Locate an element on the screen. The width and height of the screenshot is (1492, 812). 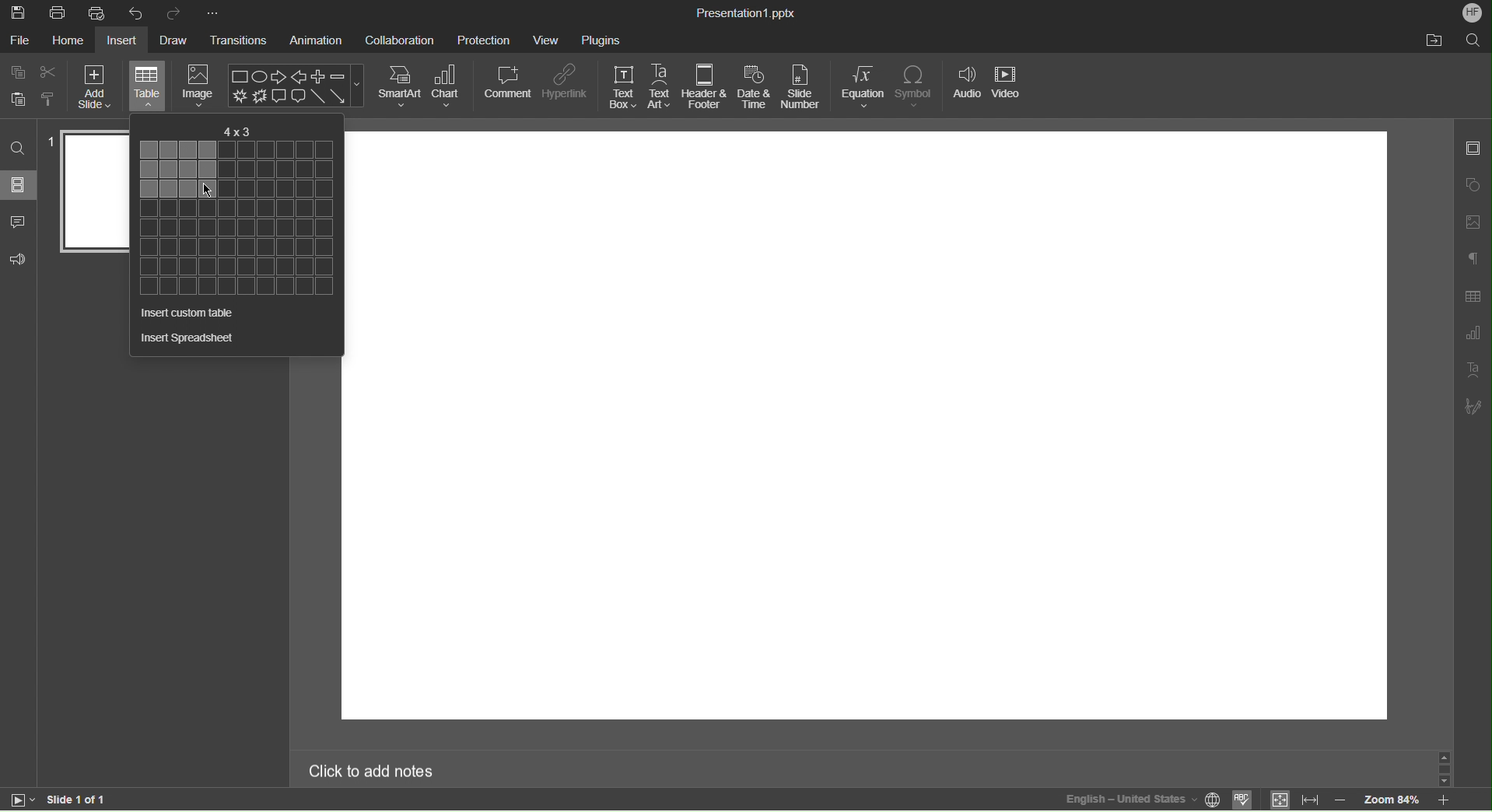
Hyperlink is located at coordinates (568, 84).